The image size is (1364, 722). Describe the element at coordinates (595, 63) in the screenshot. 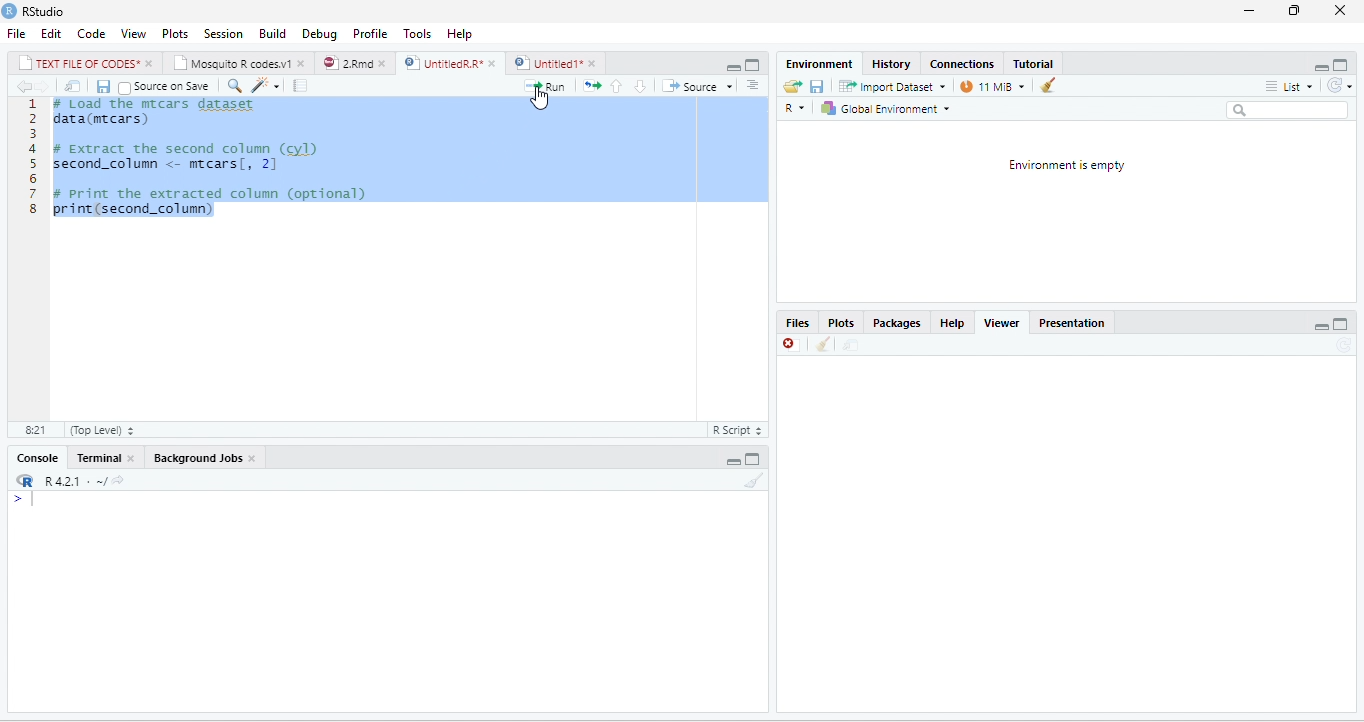

I see `close` at that location.